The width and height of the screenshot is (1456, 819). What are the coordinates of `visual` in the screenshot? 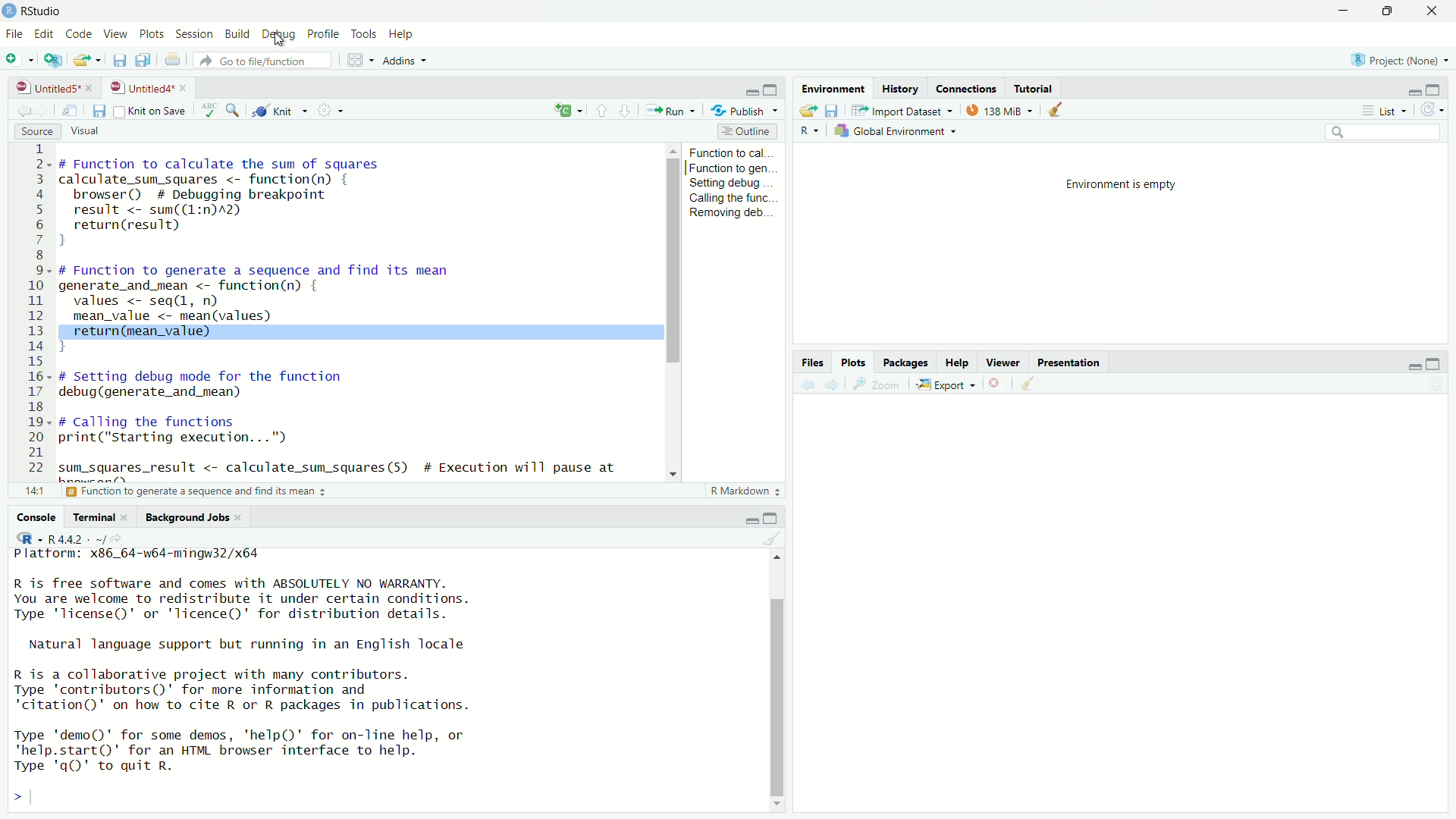 It's located at (88, 132).